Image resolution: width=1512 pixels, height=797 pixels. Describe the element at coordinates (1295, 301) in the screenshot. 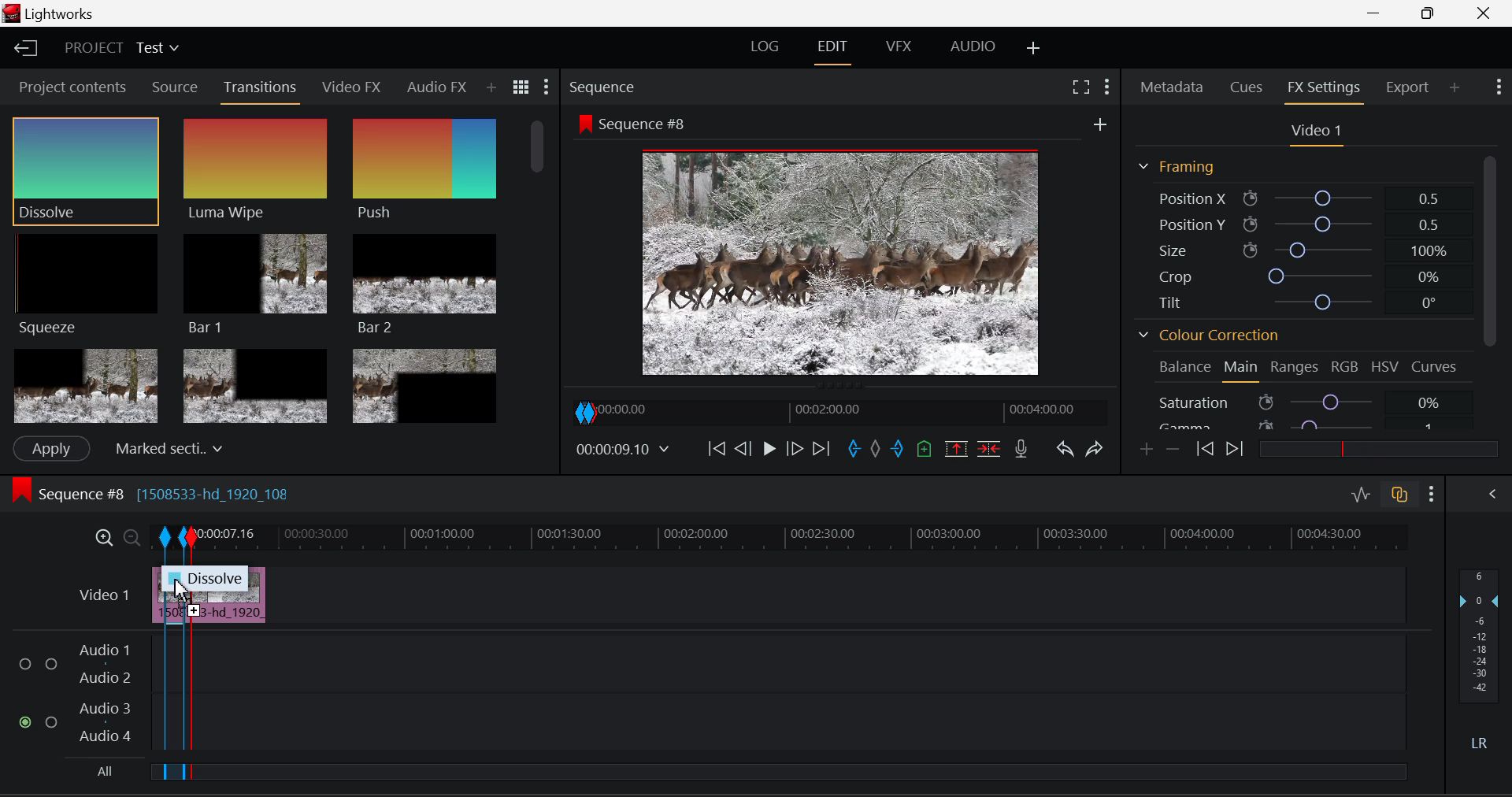

I see `Tilt` at that location.